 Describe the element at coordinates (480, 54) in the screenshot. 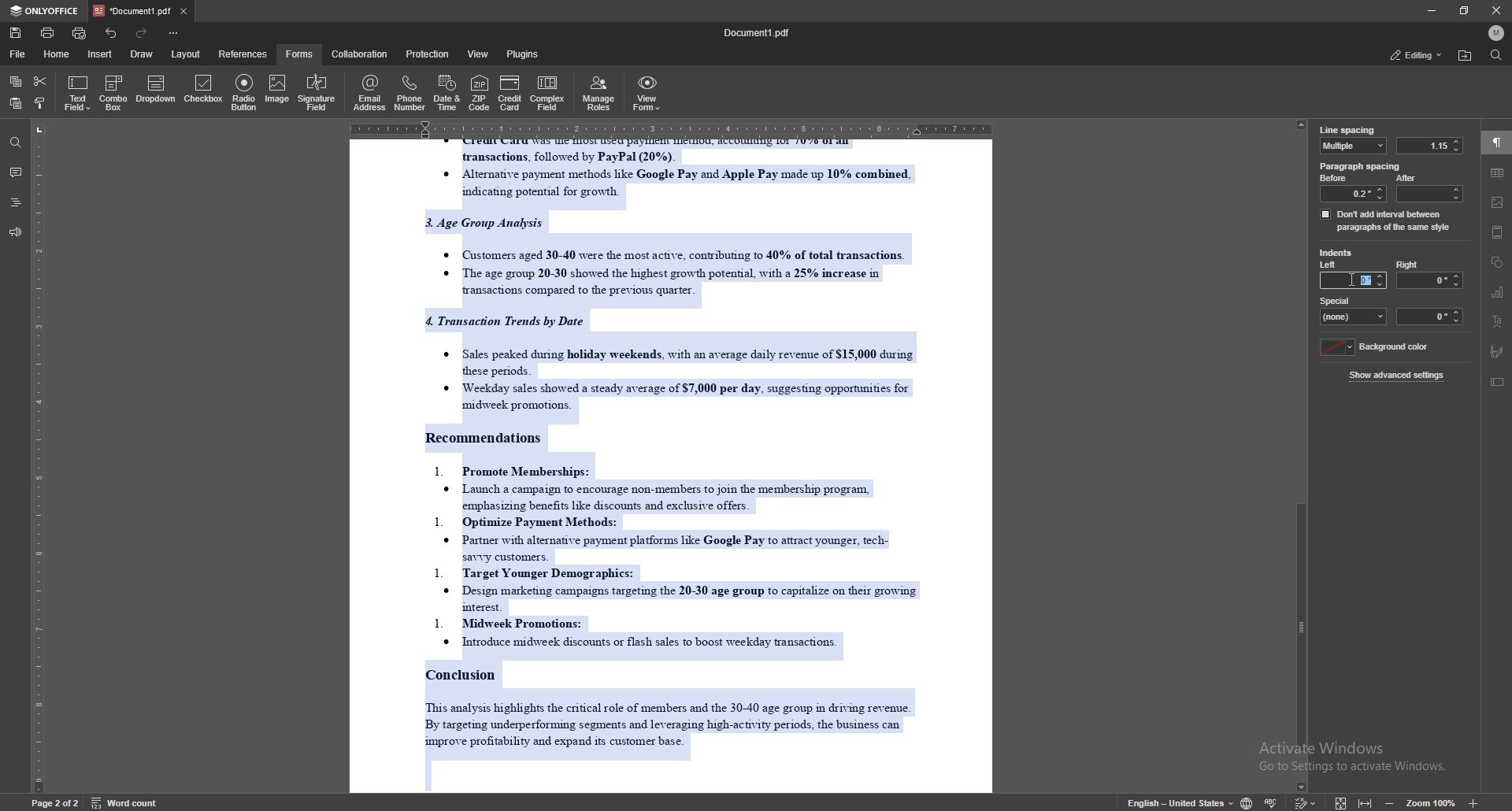

I see `view` at that location.